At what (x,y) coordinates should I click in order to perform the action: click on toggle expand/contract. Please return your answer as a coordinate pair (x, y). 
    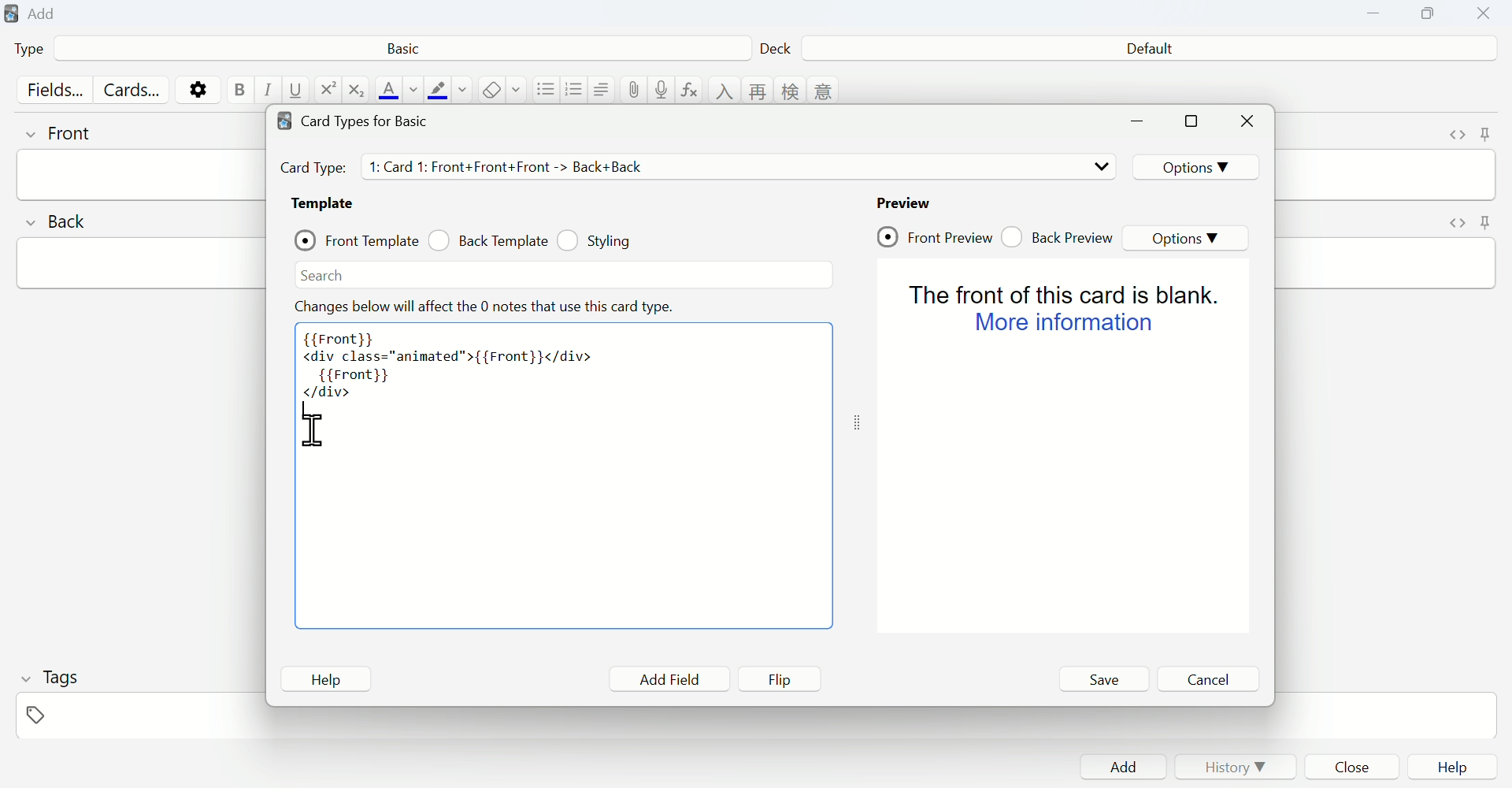
    Looking at the image, I should click on (858, 424).